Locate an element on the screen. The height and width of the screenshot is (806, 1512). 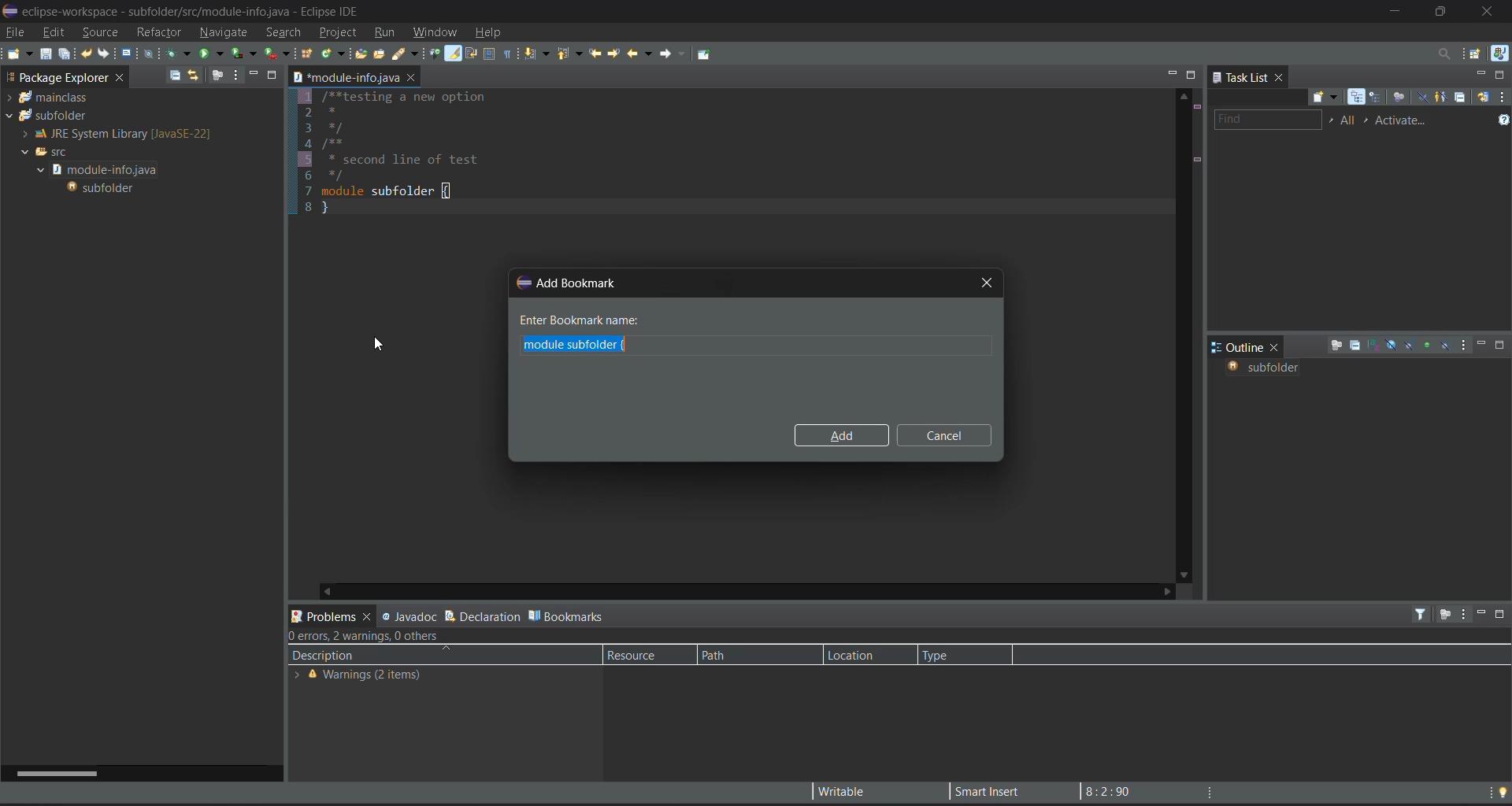
filters is located at coordinates (1423, 614).